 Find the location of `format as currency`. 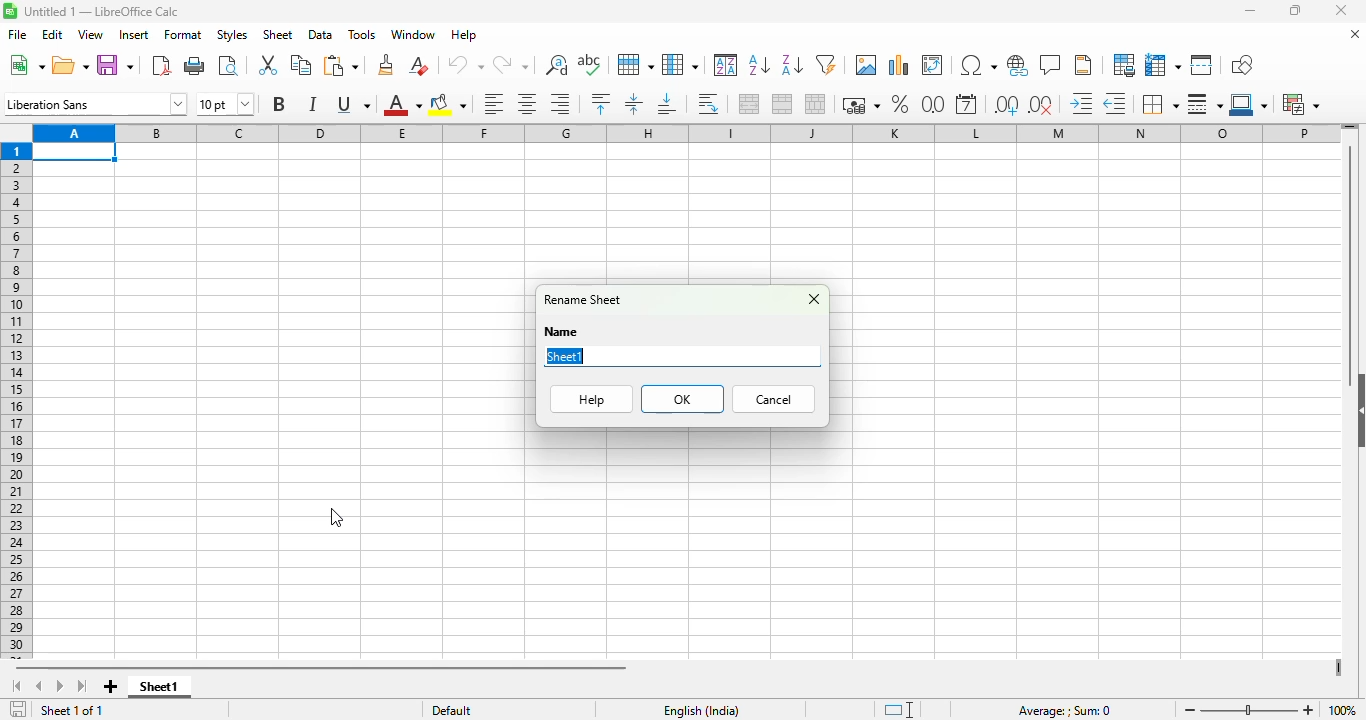

format as currency is located at coordinates (861, 105).